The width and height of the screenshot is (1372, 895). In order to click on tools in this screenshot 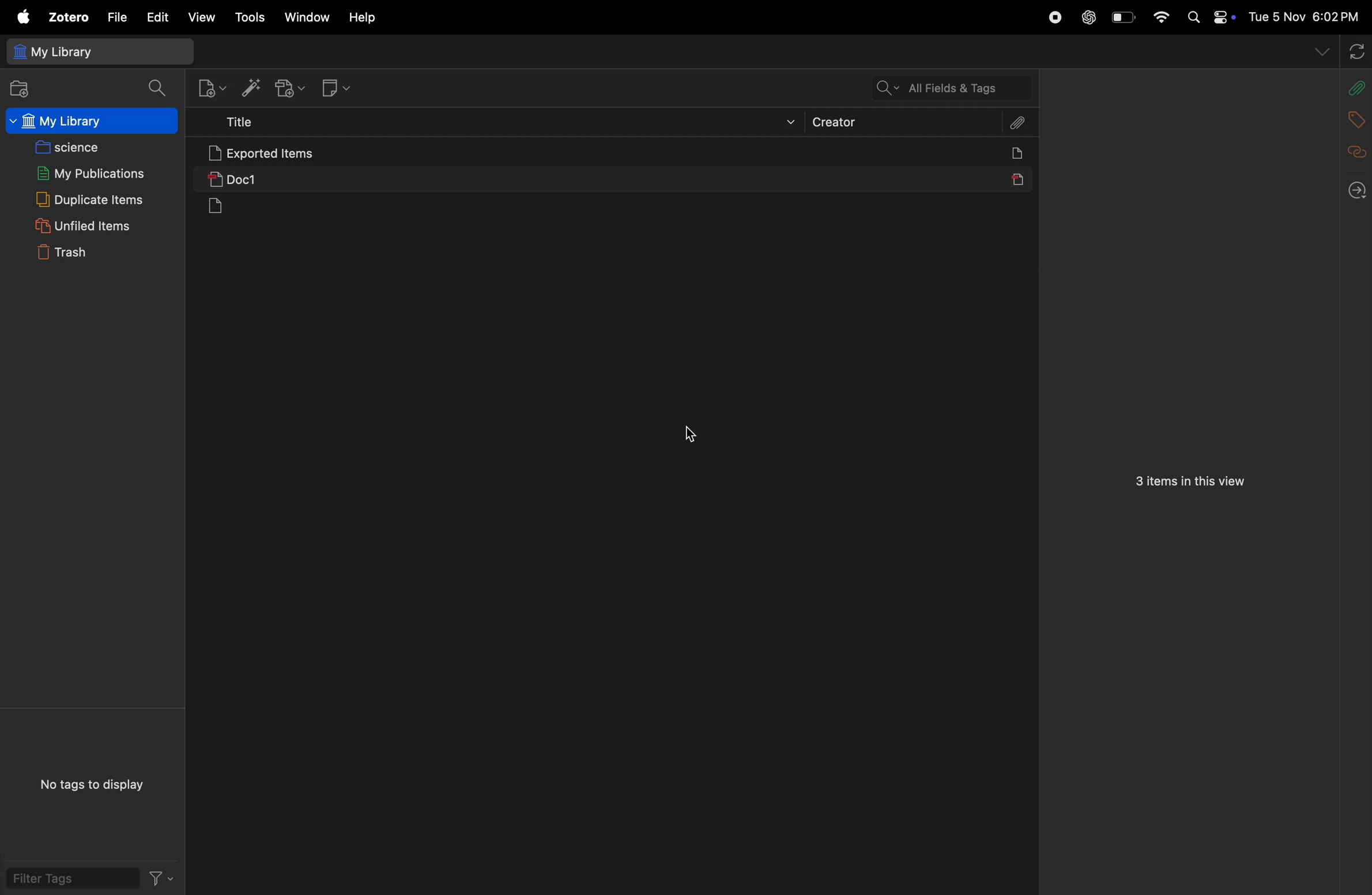, I will do `click(246, 18)`.